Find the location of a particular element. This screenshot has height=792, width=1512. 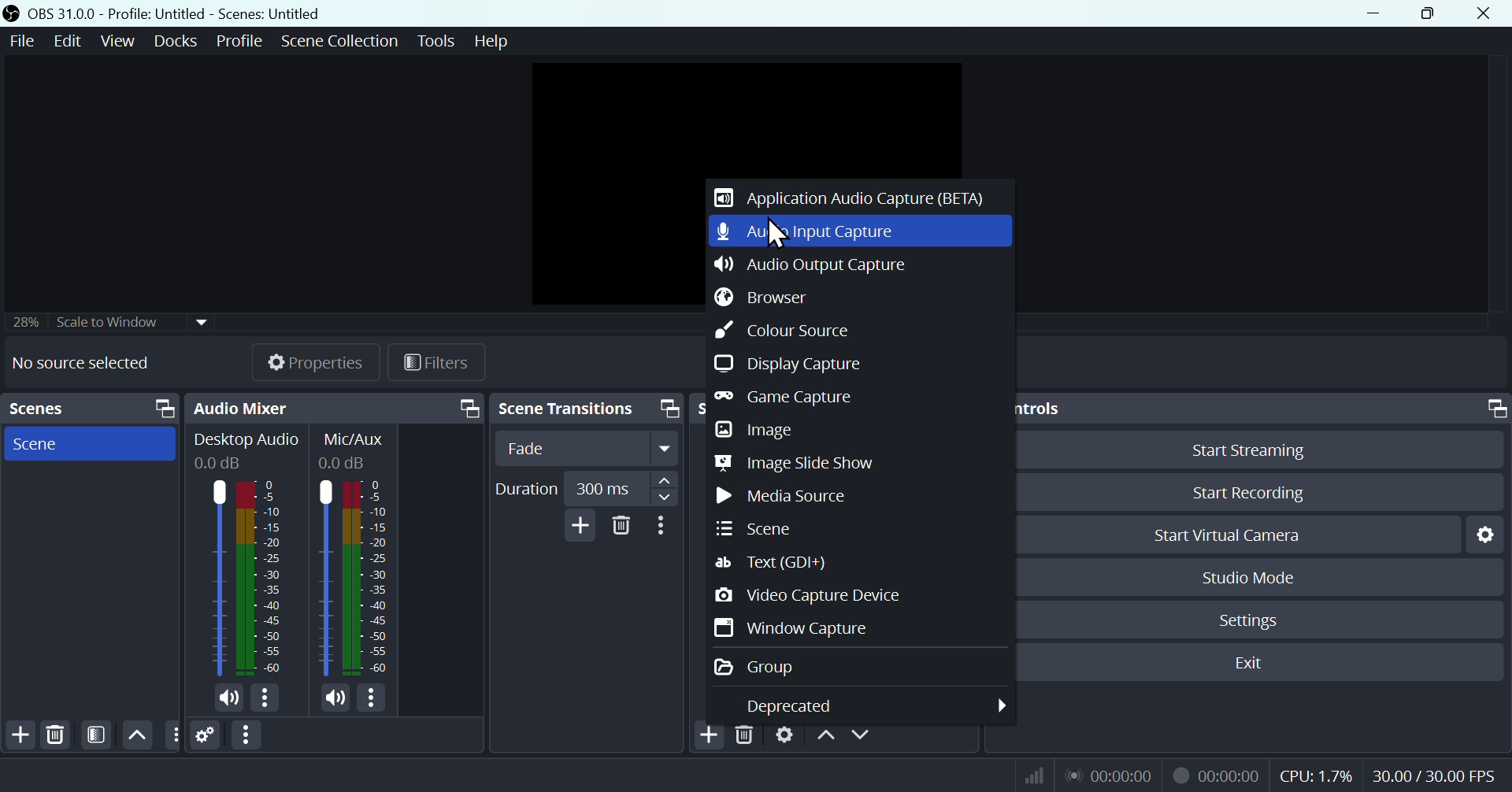

Studio mode is located at coordinates (1250, 577).